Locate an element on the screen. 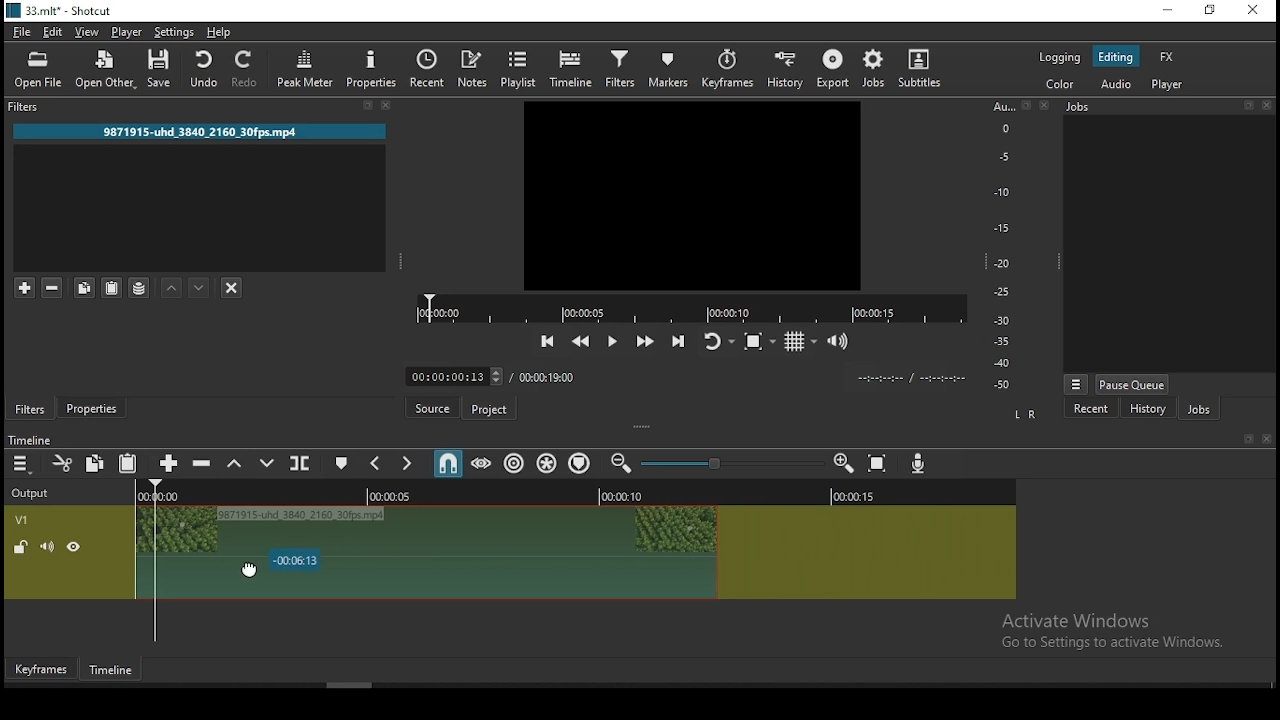 This screenshot has width=1280, height=720. (un)locked is located at coordinates (22, 548).